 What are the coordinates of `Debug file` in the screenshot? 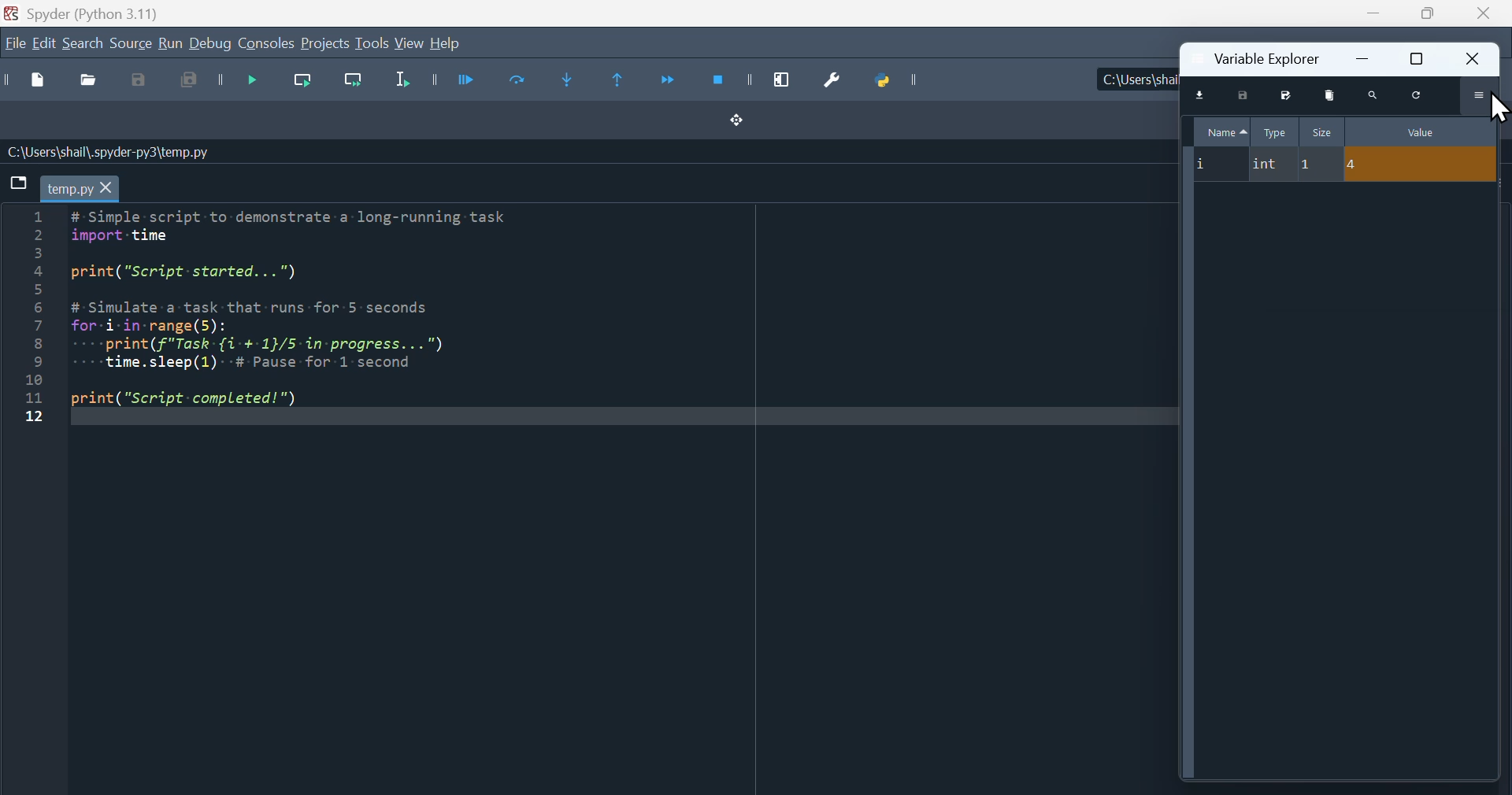 It's located at (241, 83).